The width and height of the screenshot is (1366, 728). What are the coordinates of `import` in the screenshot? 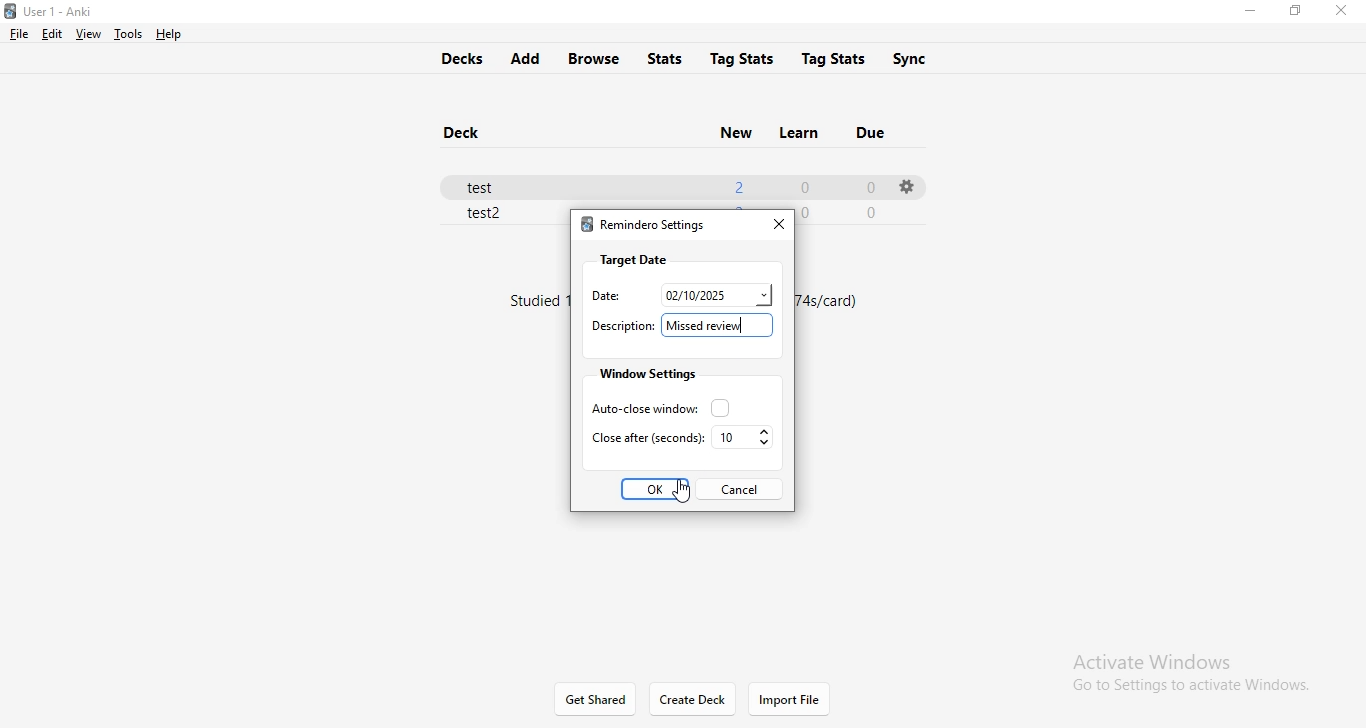 It's located at (789, 700).